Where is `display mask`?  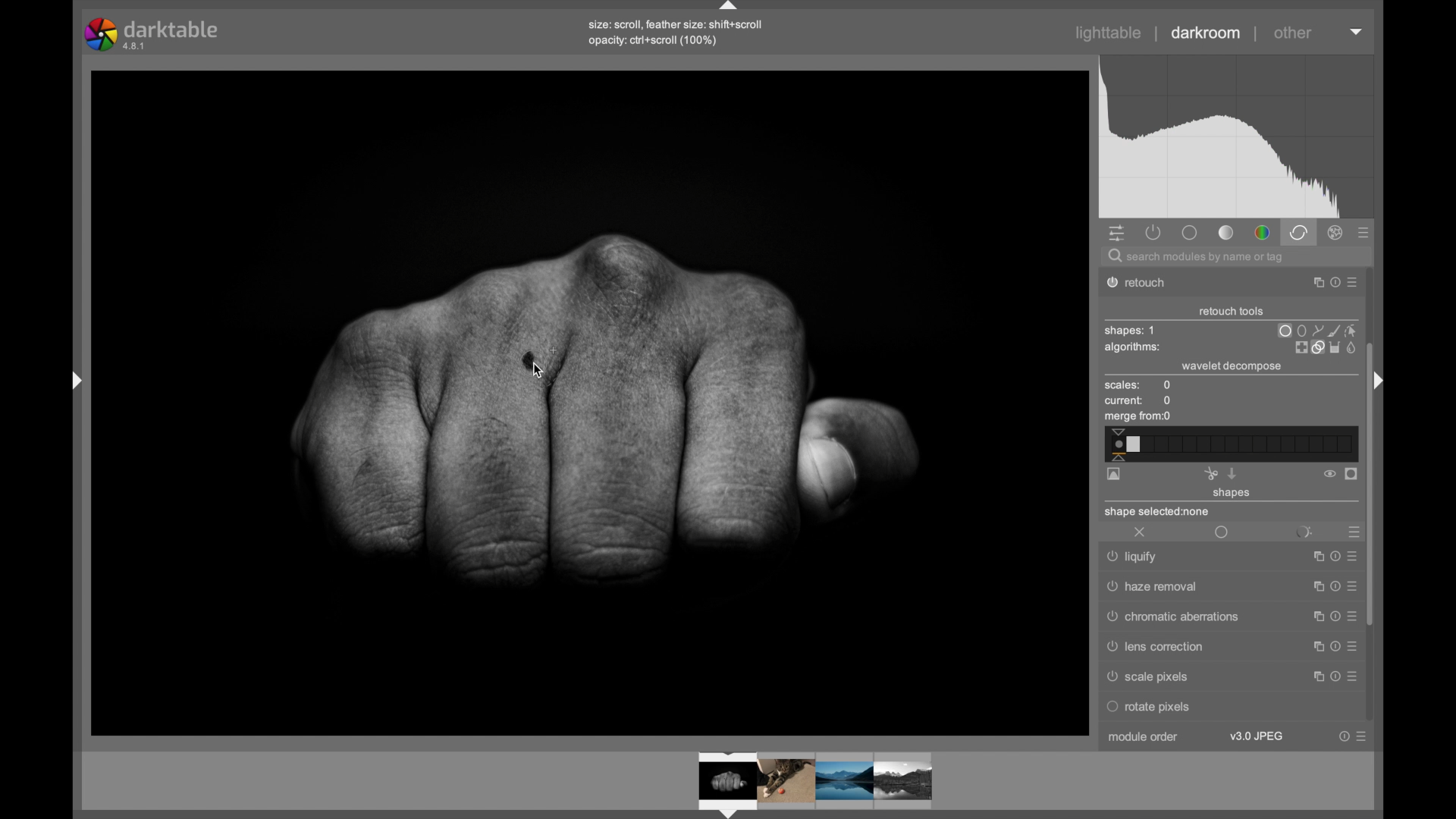 display mask is located at coordinates (1352, 475).